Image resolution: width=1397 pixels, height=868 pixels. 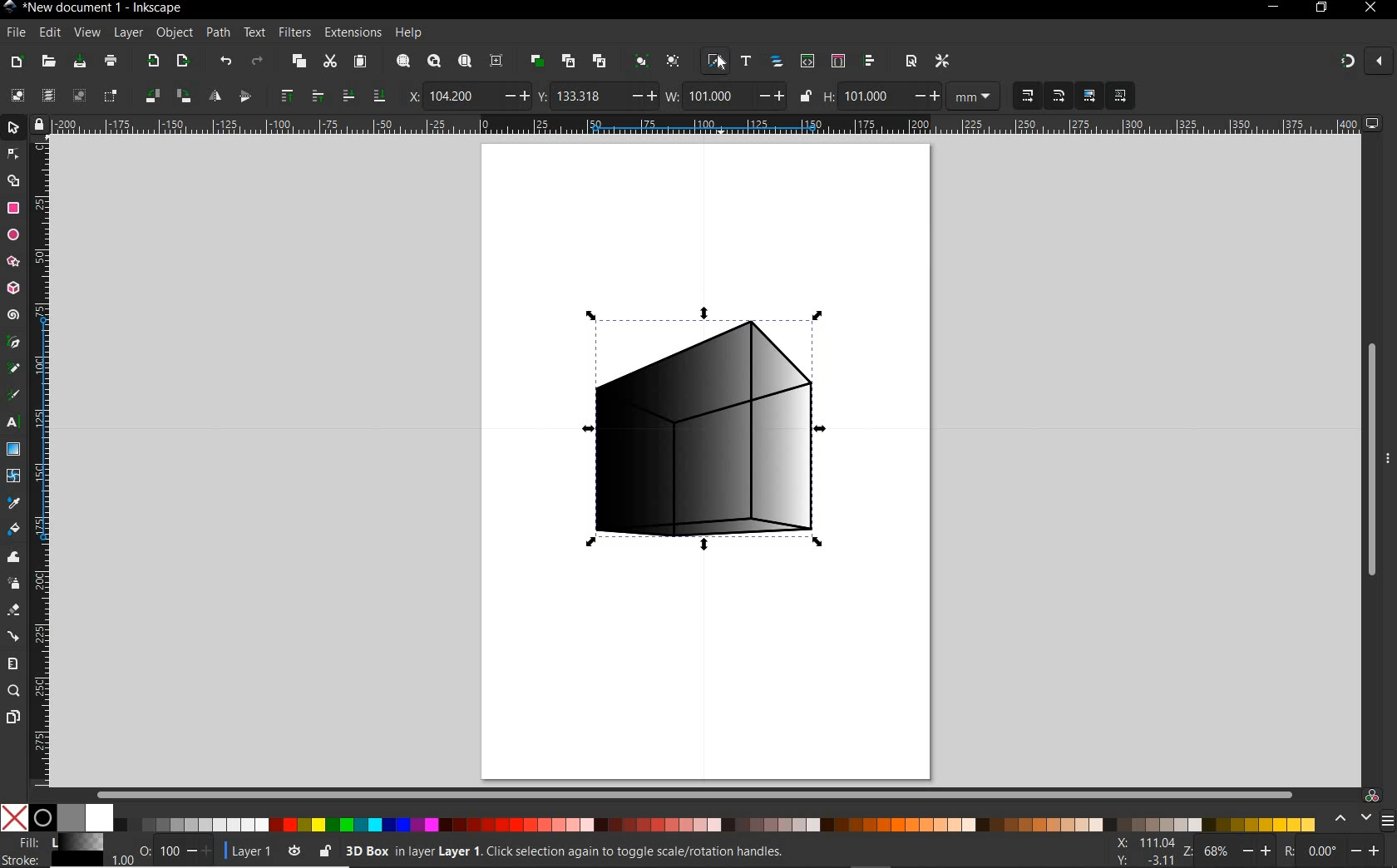 I want to click on 101, so click(x=872, y=97).